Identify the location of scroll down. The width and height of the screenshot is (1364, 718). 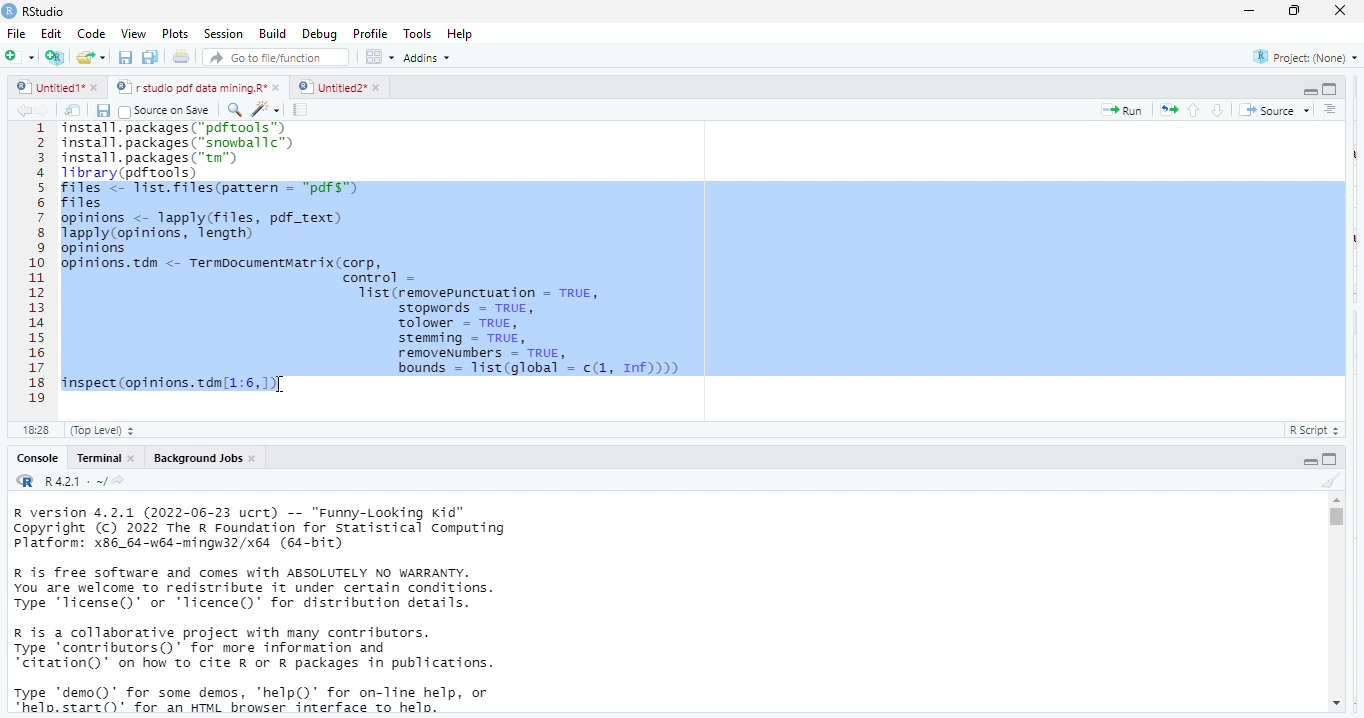
(1335, 705).